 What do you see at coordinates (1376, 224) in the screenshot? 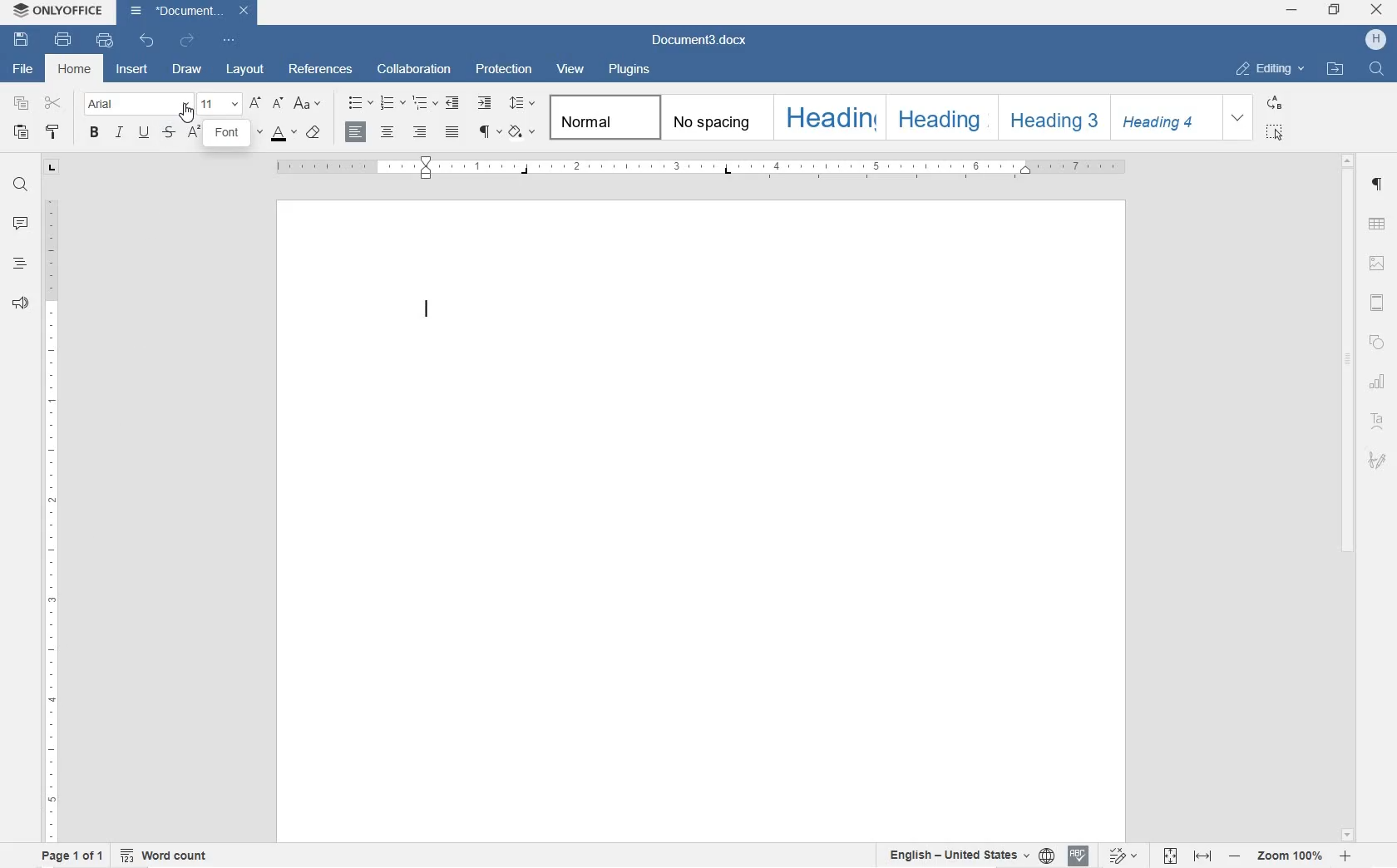
I see `TABLE` at bounding box center [1376, 224].